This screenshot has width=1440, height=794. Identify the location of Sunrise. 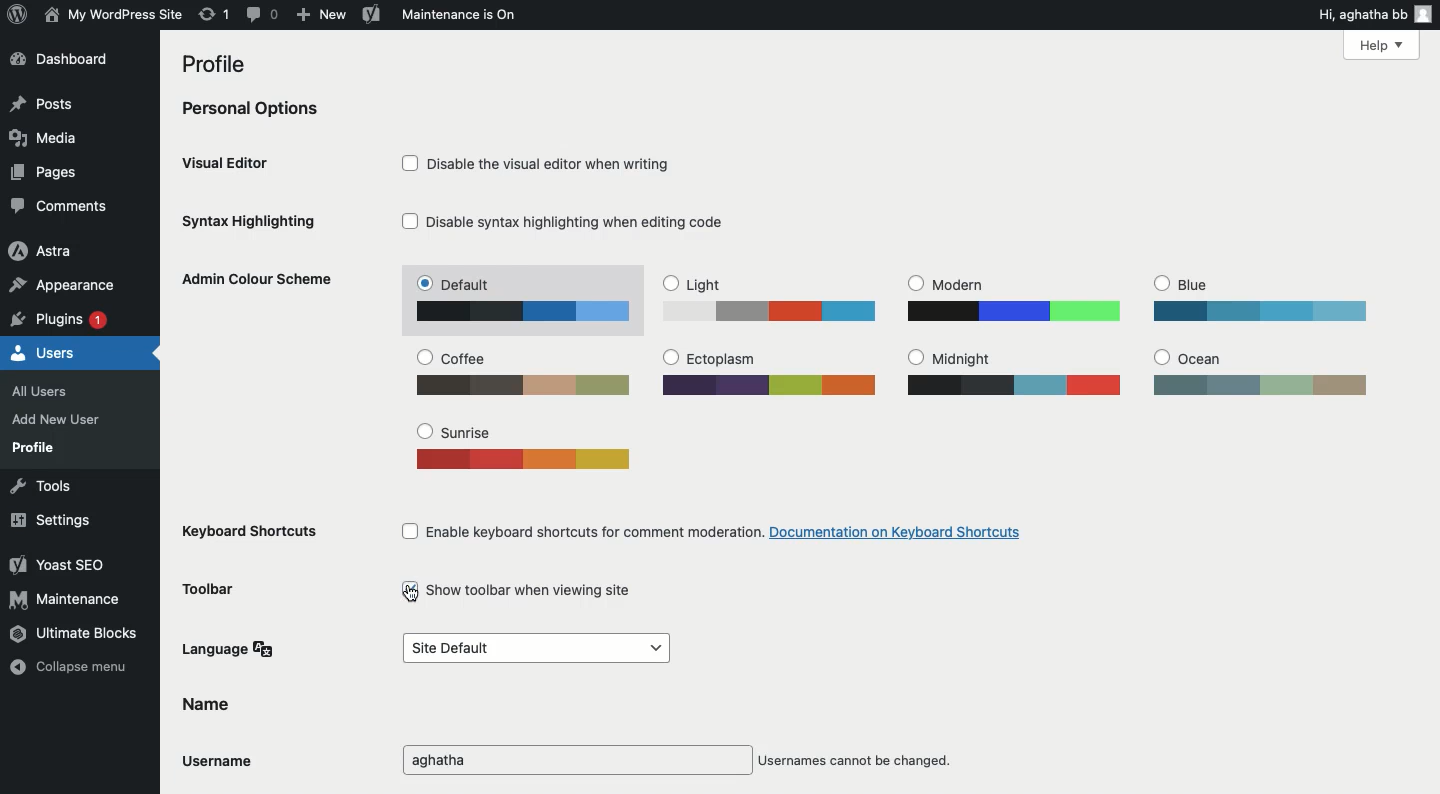
(531, 446).